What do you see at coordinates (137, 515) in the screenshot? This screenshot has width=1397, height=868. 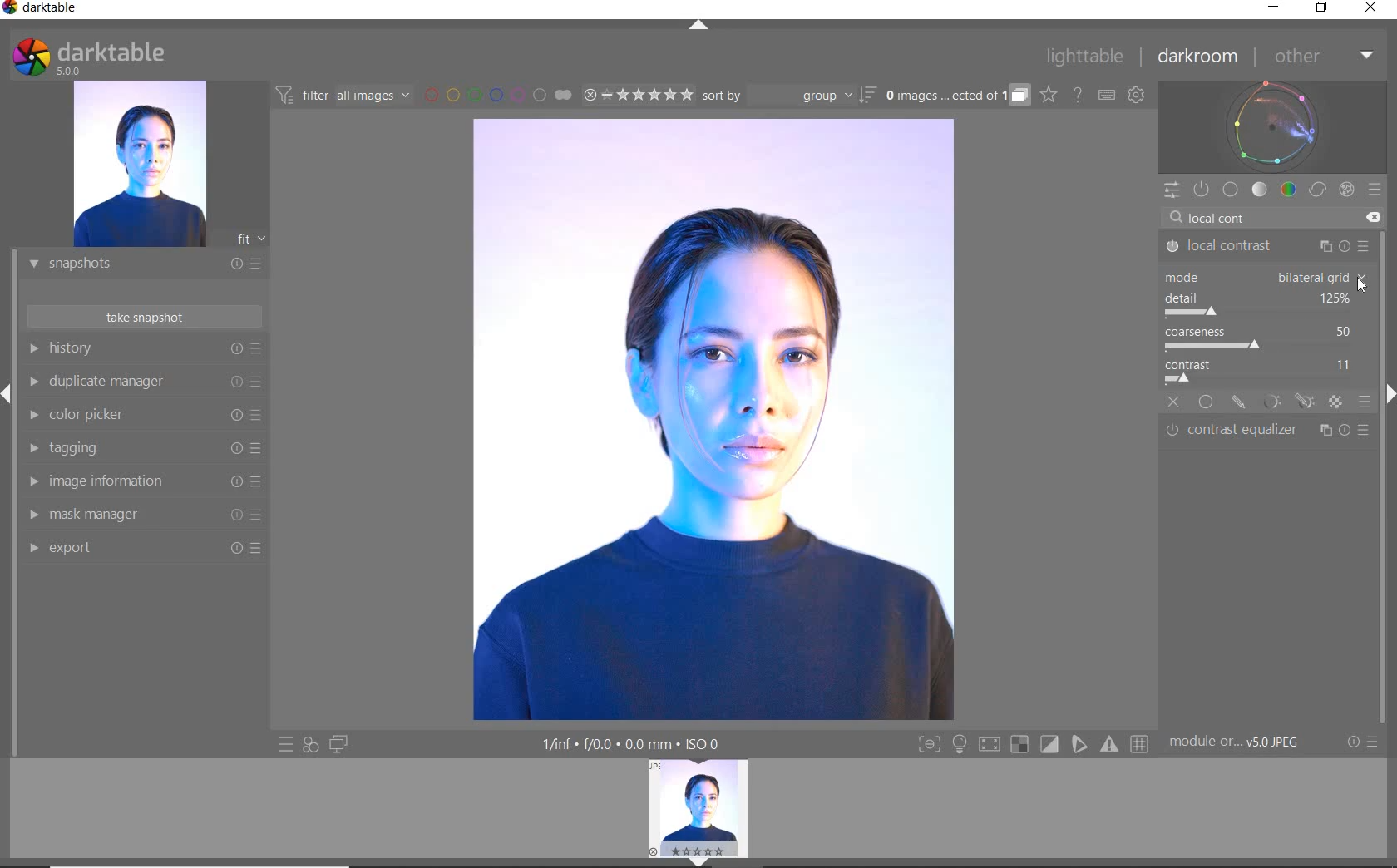 I see `MASK MANAGER` at bounding box center [137, 515].